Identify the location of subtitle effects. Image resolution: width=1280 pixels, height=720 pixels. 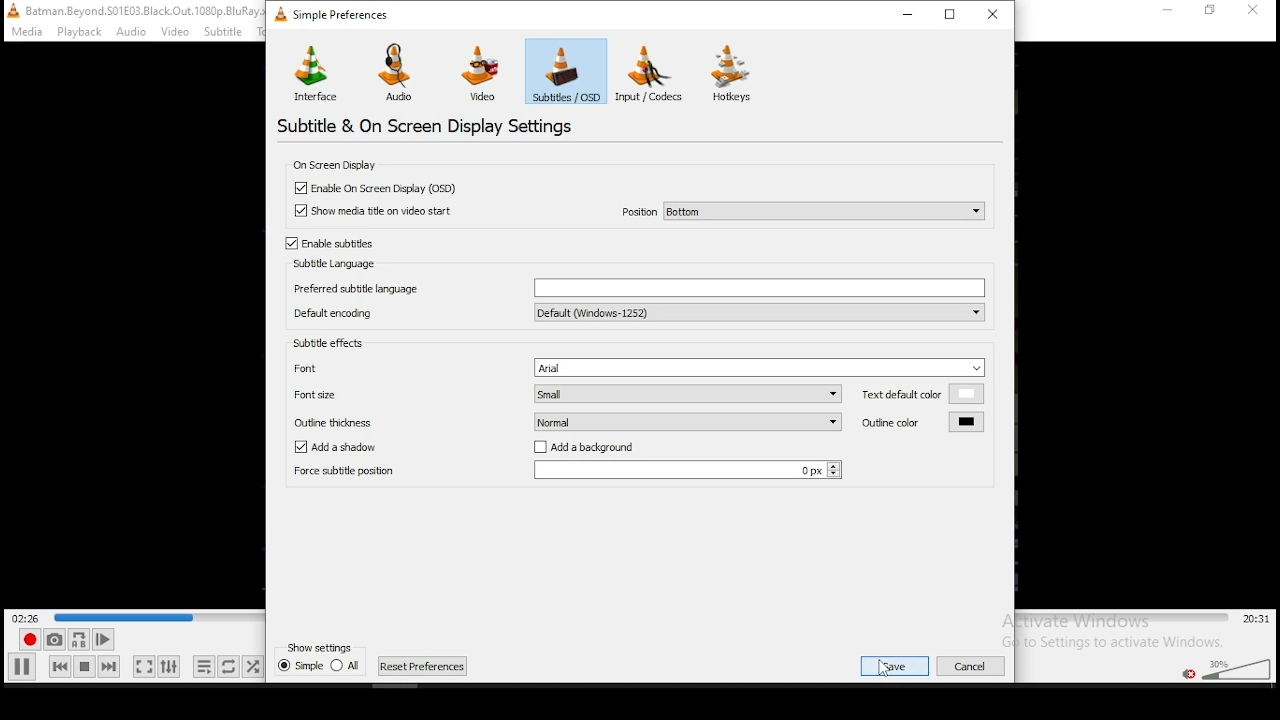
(331, 345).